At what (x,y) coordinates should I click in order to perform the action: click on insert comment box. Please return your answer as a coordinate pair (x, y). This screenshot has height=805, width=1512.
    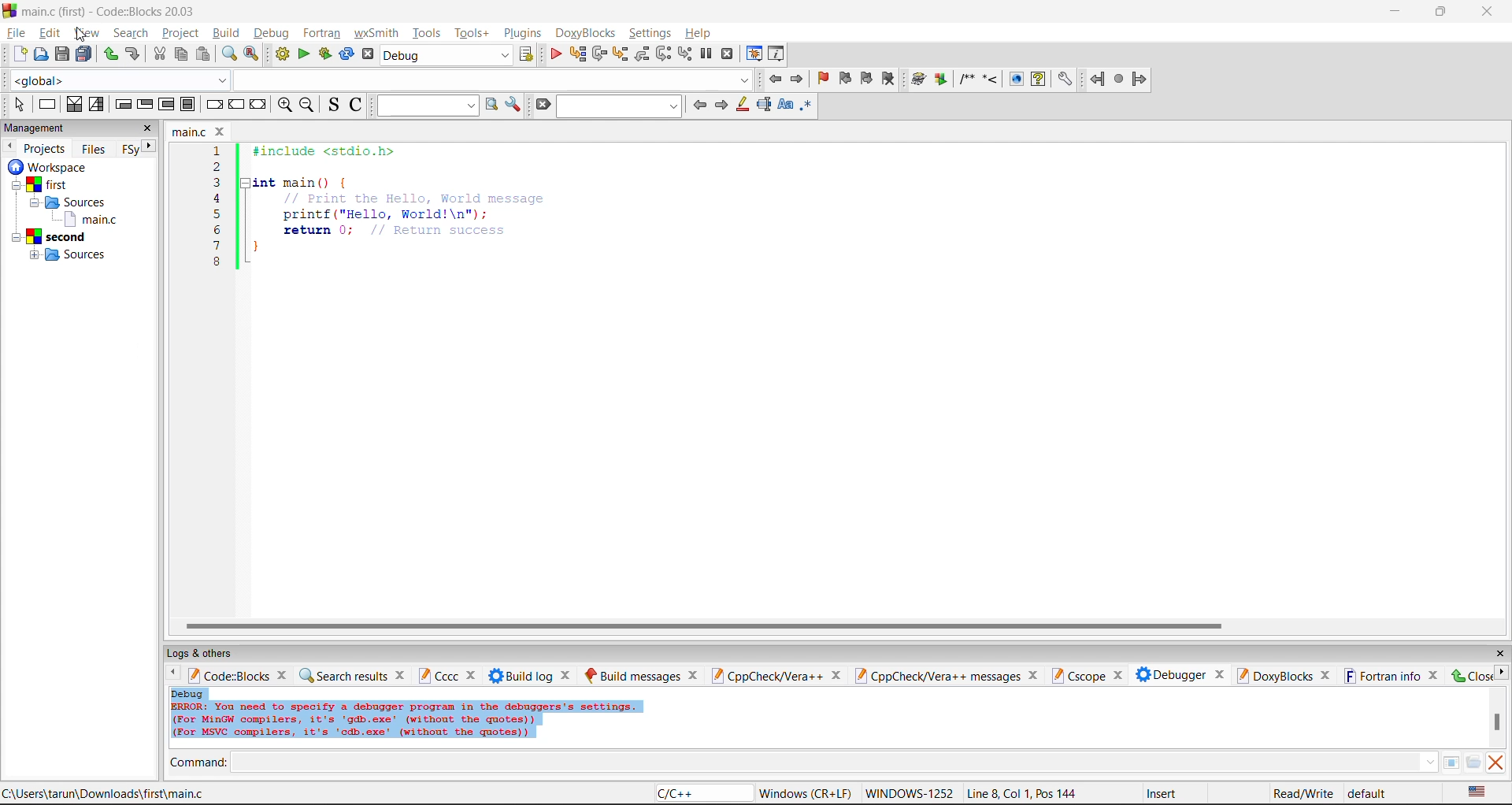
    Looking at the image, I should click on (966, 80).